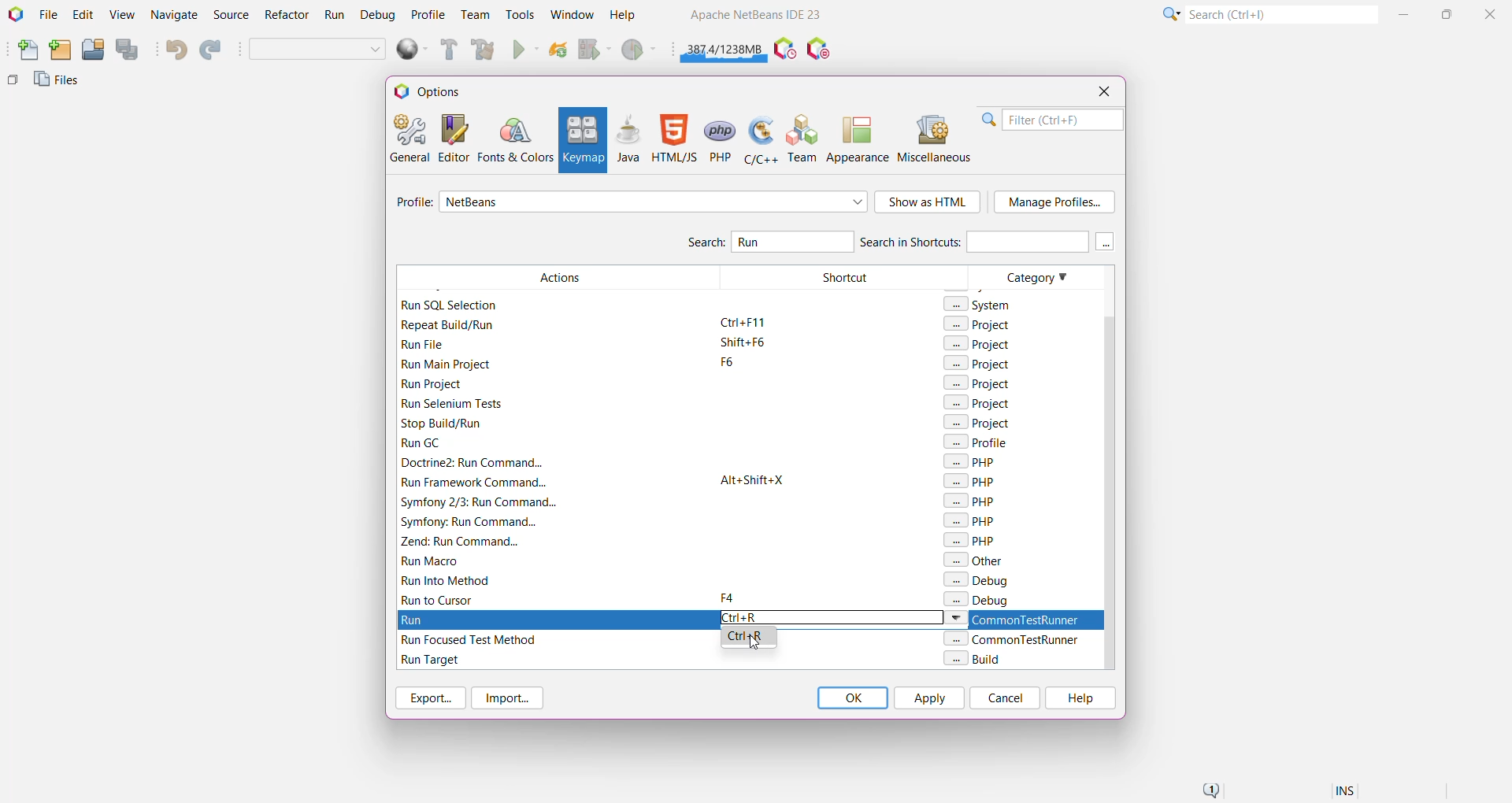 The height and width of the screenshot is (803, 1512). I want to click on Options, so click(435, 91).